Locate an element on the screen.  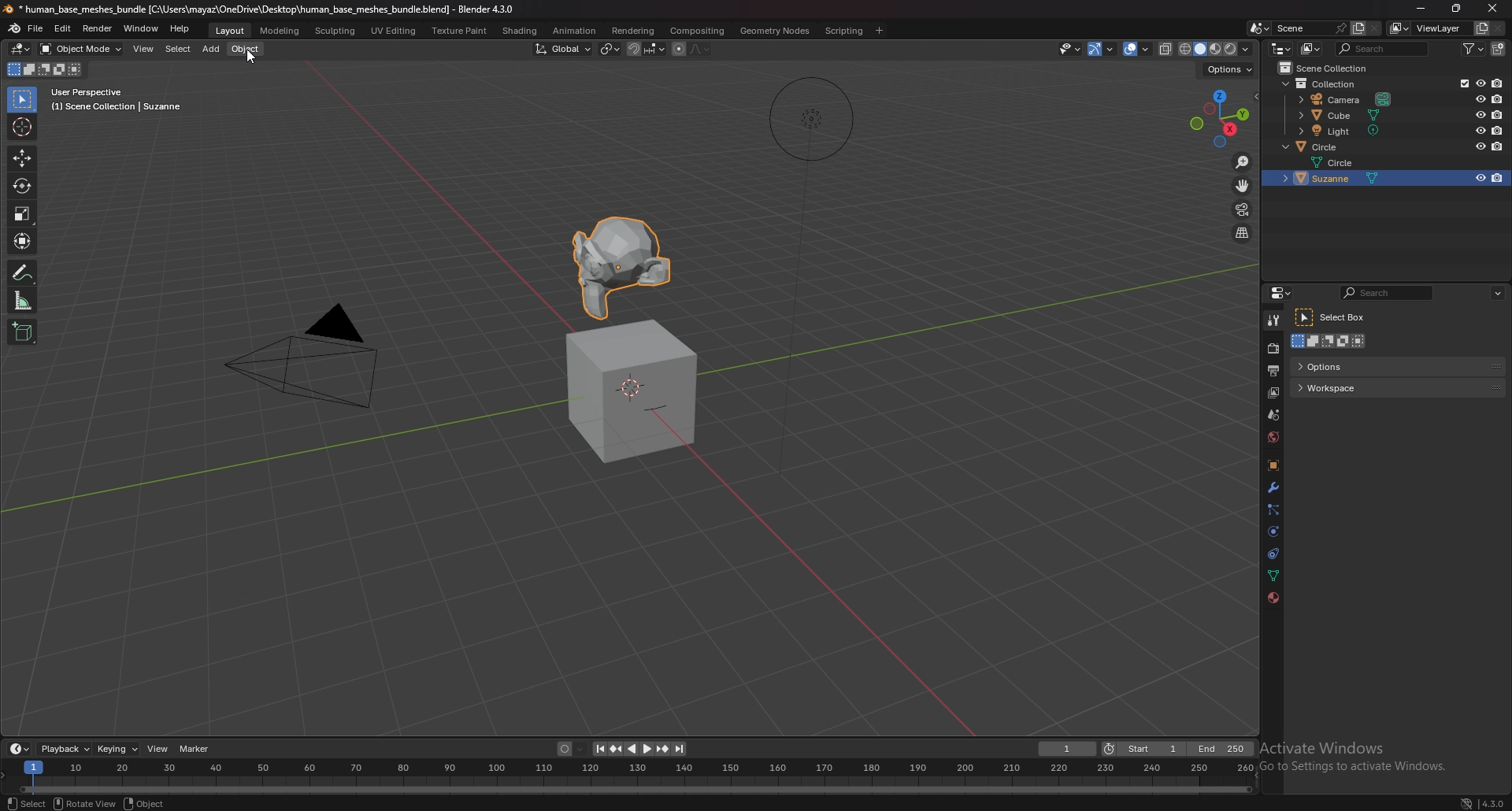
title is located at coordinates (257, 9).